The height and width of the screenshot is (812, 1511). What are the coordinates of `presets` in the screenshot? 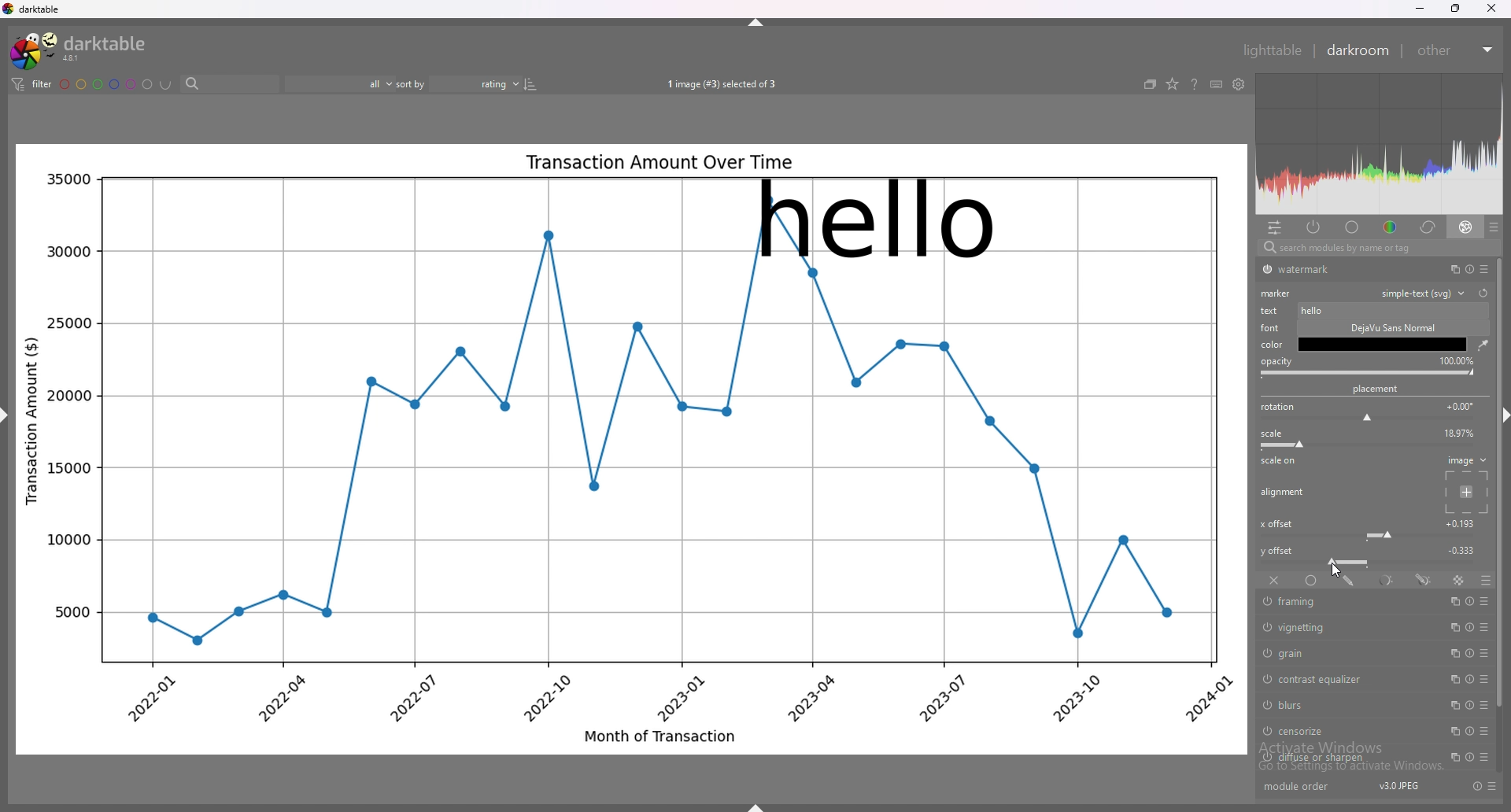 It's located at (1485, 680).